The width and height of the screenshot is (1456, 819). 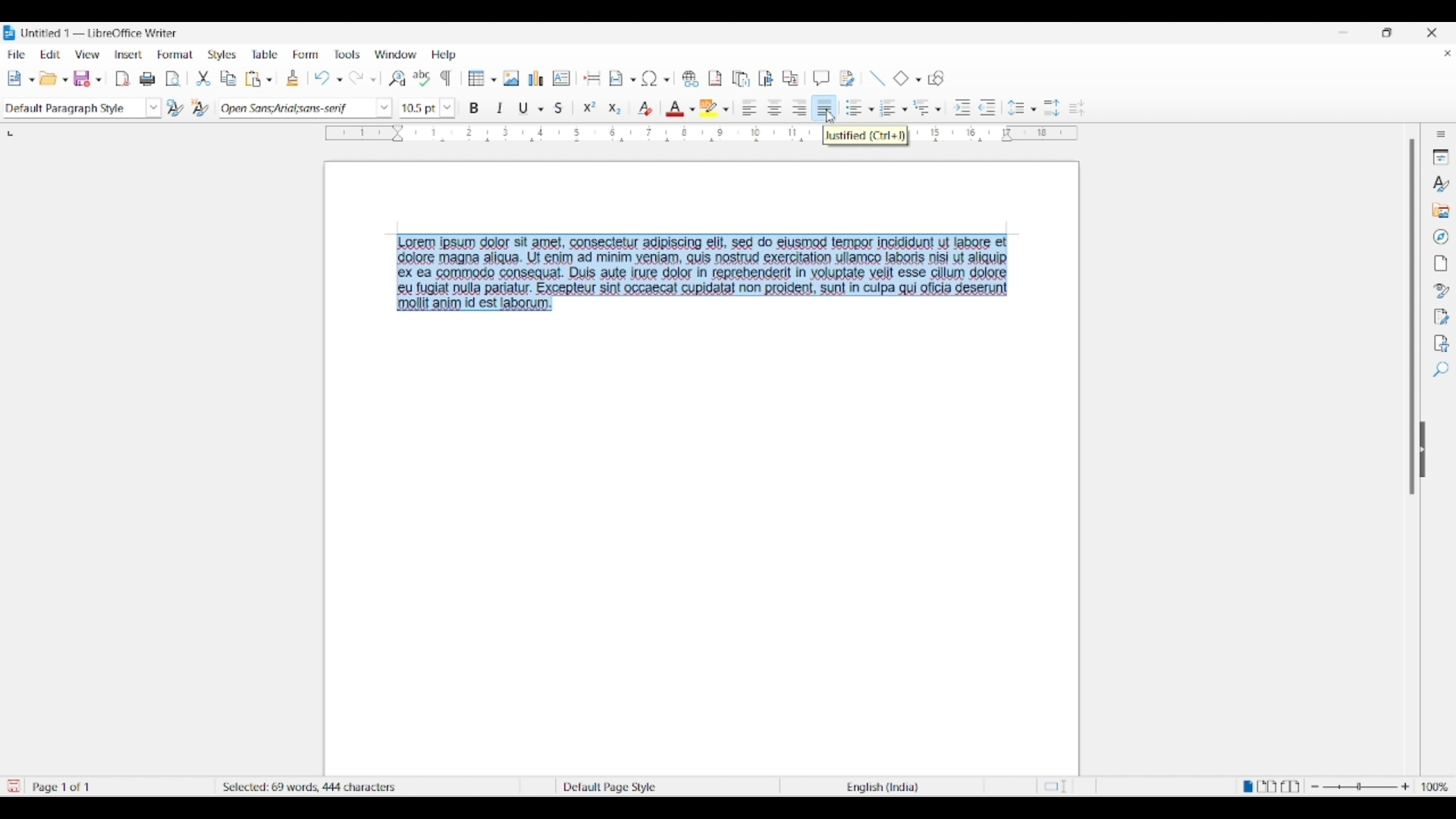 I want to click on Gallery, so click(x=1440, y=210).